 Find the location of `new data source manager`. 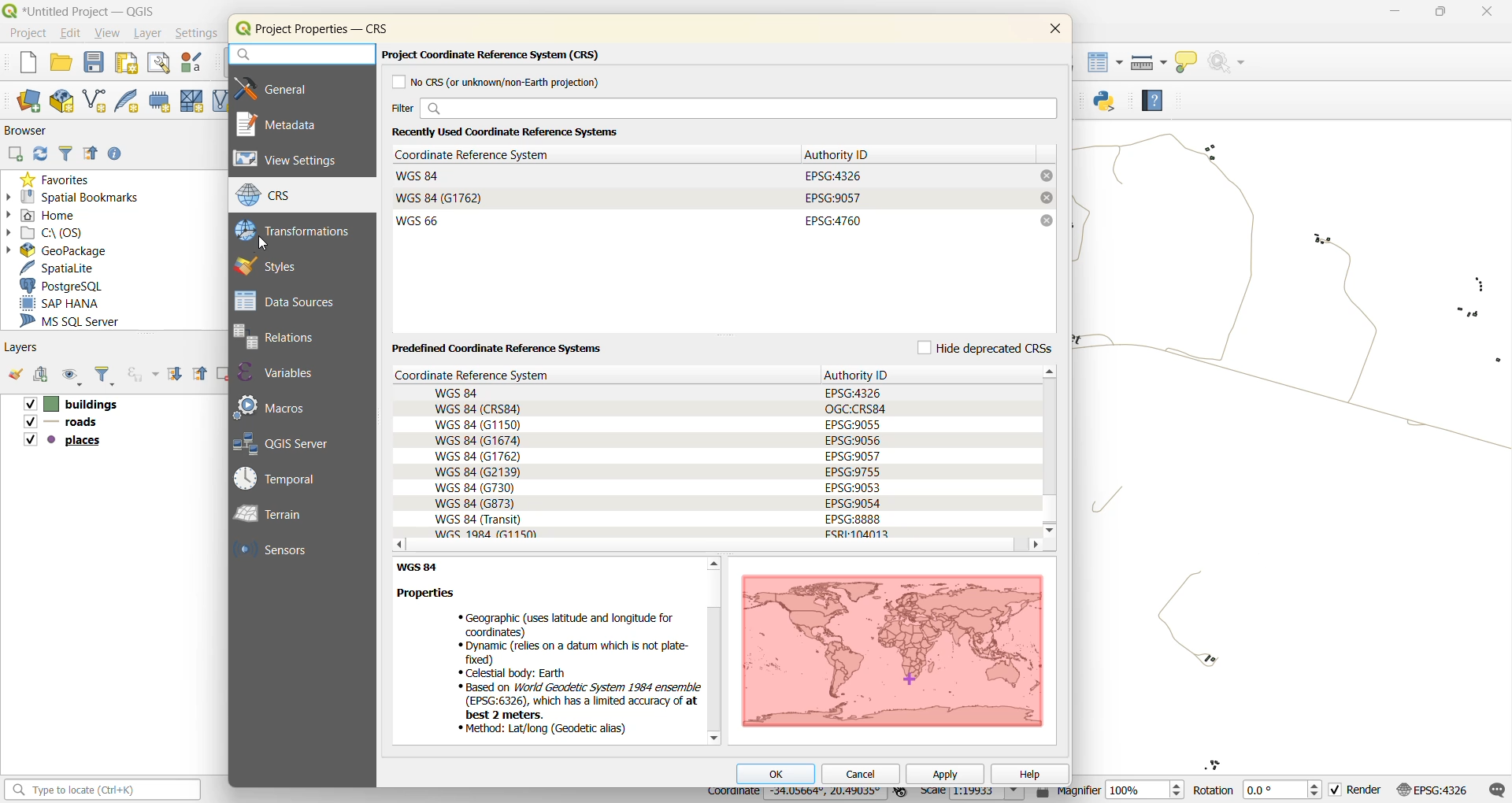

new data source manager is located at coordinates (33, 102).